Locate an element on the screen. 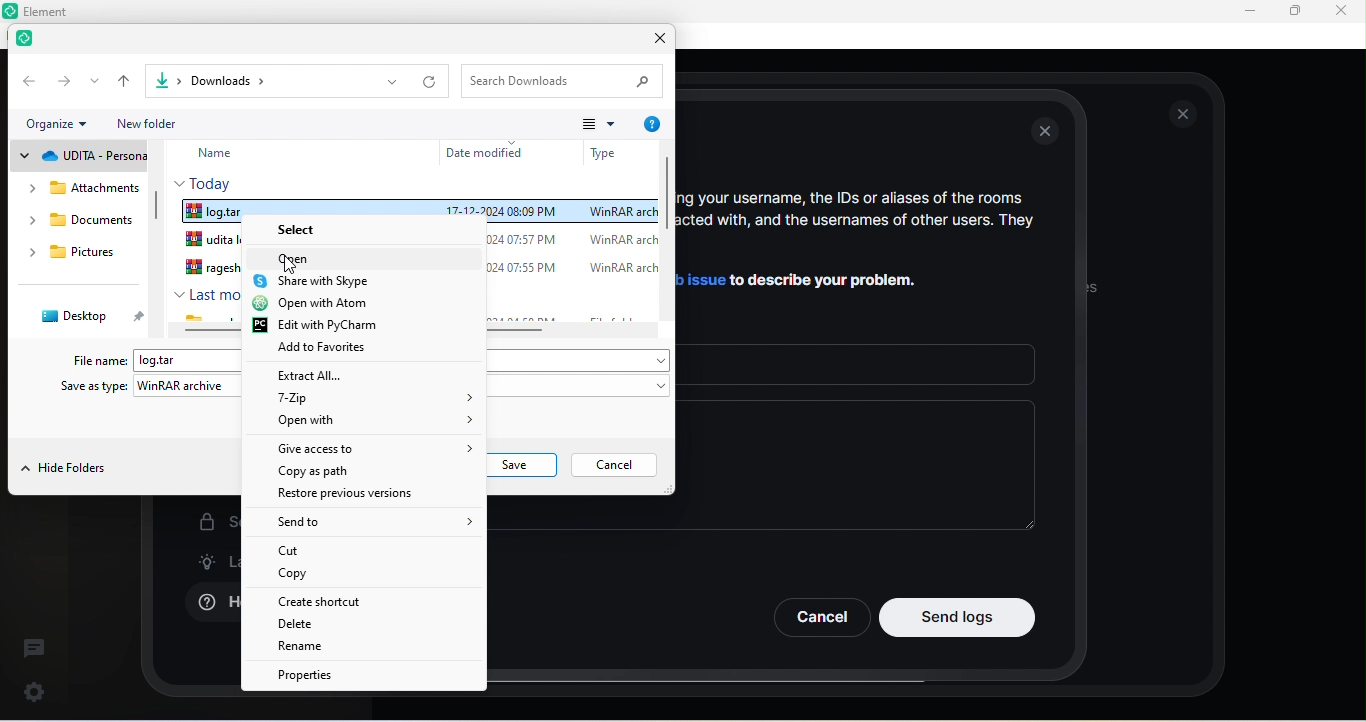  properties is located at coordinates (316, 675).